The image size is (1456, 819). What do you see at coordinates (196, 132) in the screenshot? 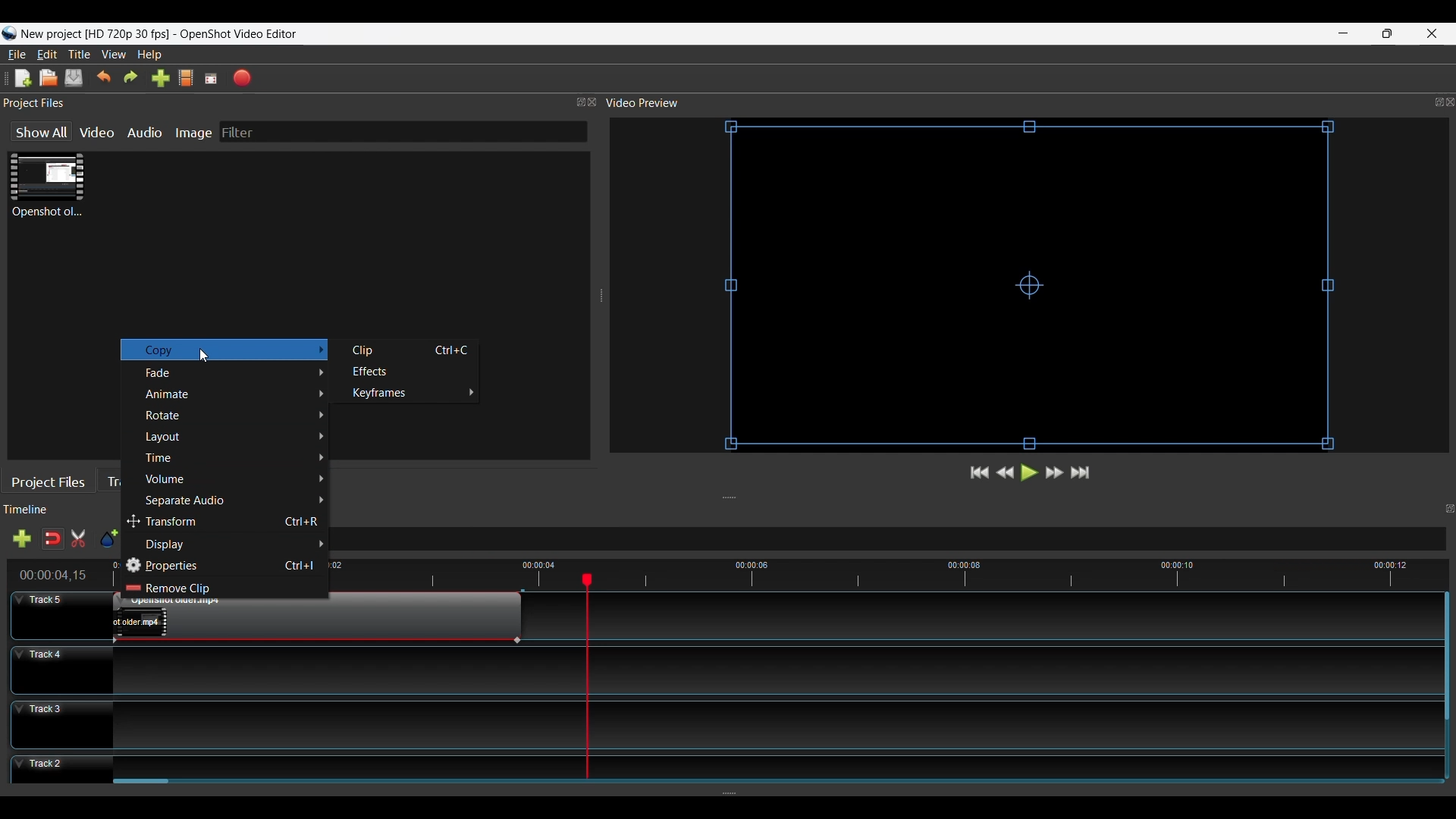
I see `Image` at bounding box center [196, 132].